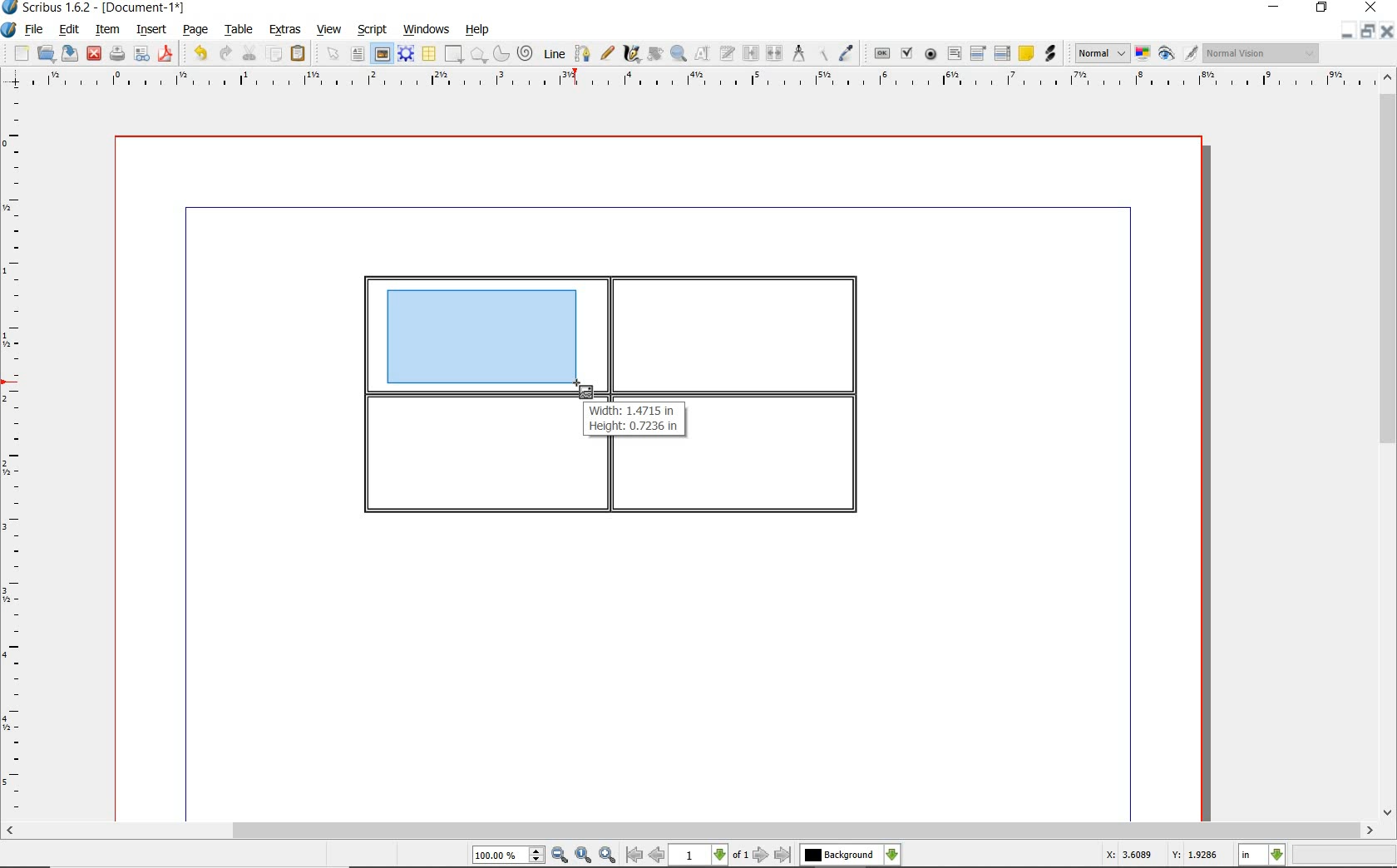 This screenshot has width=1397, height=868. I want to click on unlink text frames, so click(776, 53).